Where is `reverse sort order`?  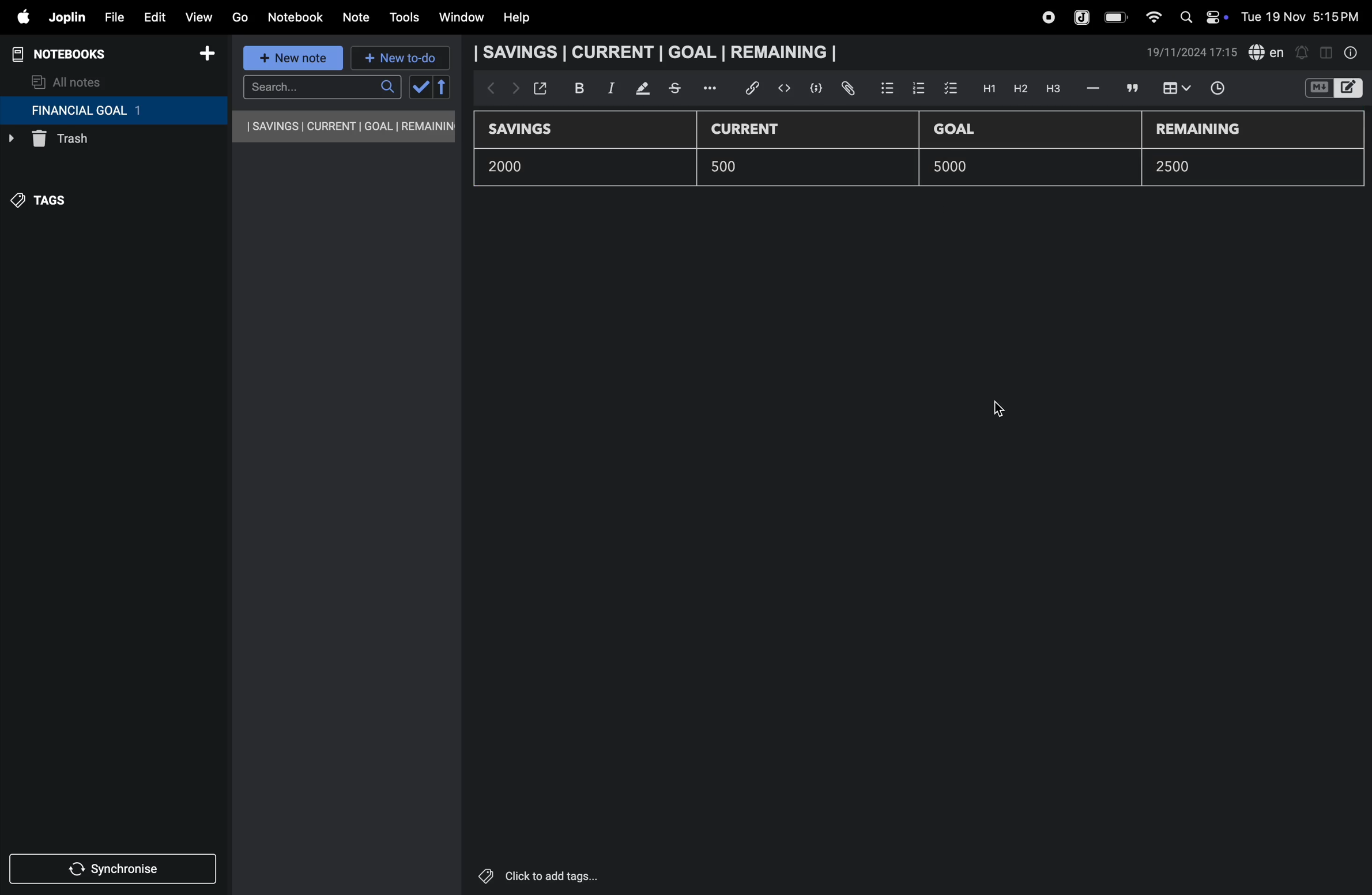 reverse sort order is located at coordinates (443, 87).